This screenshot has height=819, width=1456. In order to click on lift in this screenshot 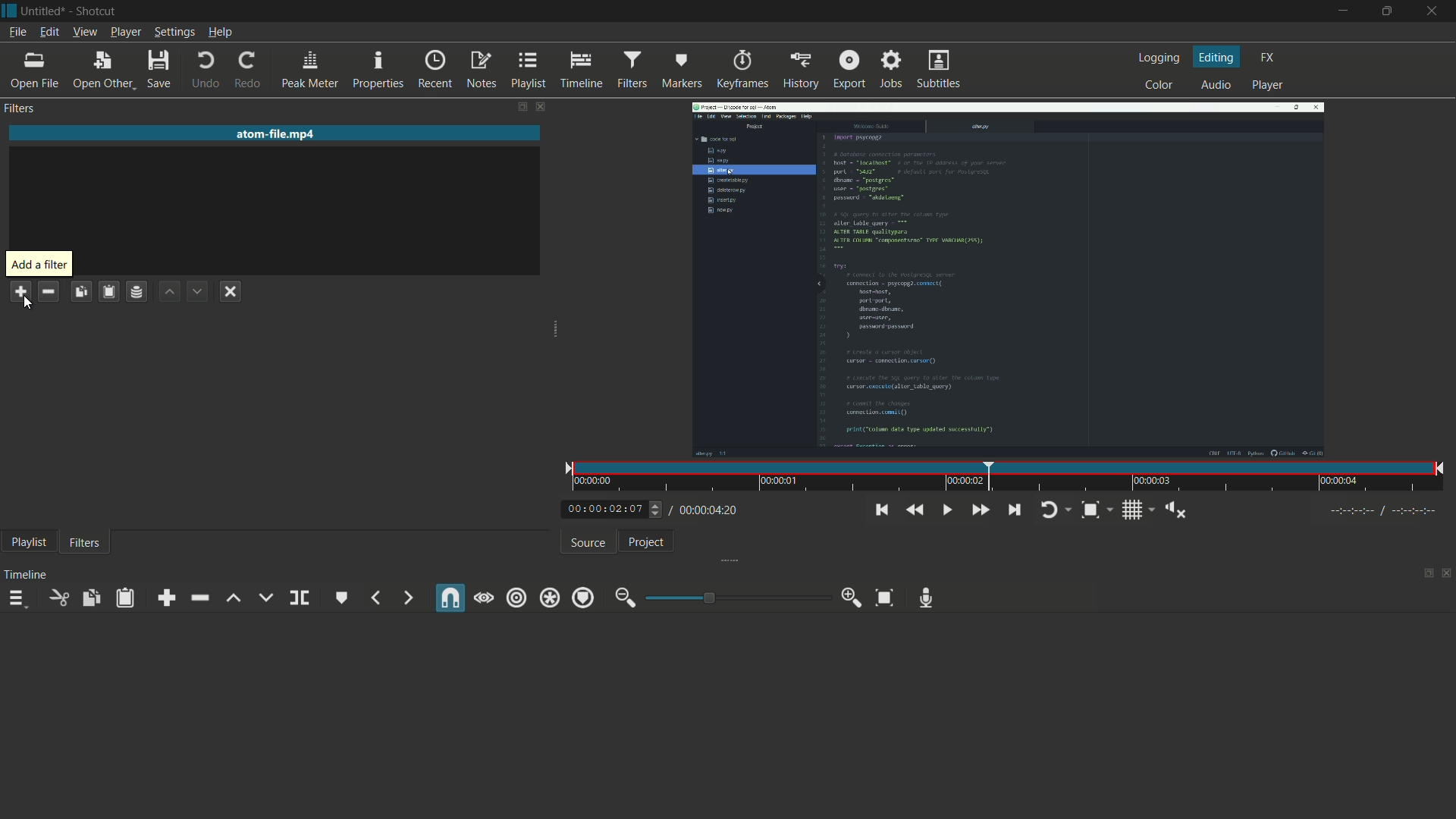, I will do `click(234, 598)`.